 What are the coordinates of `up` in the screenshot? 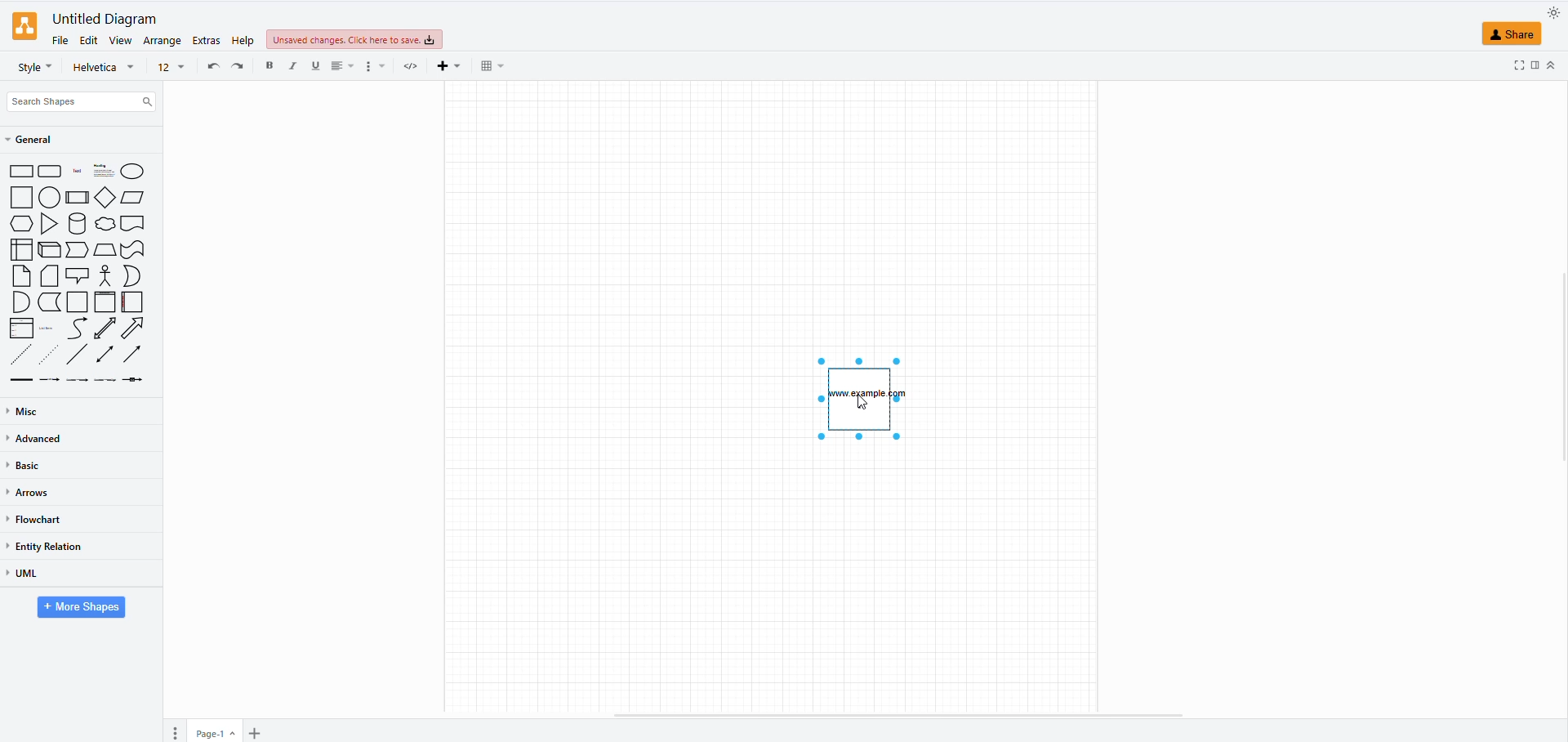 It's located at (1555, 66).